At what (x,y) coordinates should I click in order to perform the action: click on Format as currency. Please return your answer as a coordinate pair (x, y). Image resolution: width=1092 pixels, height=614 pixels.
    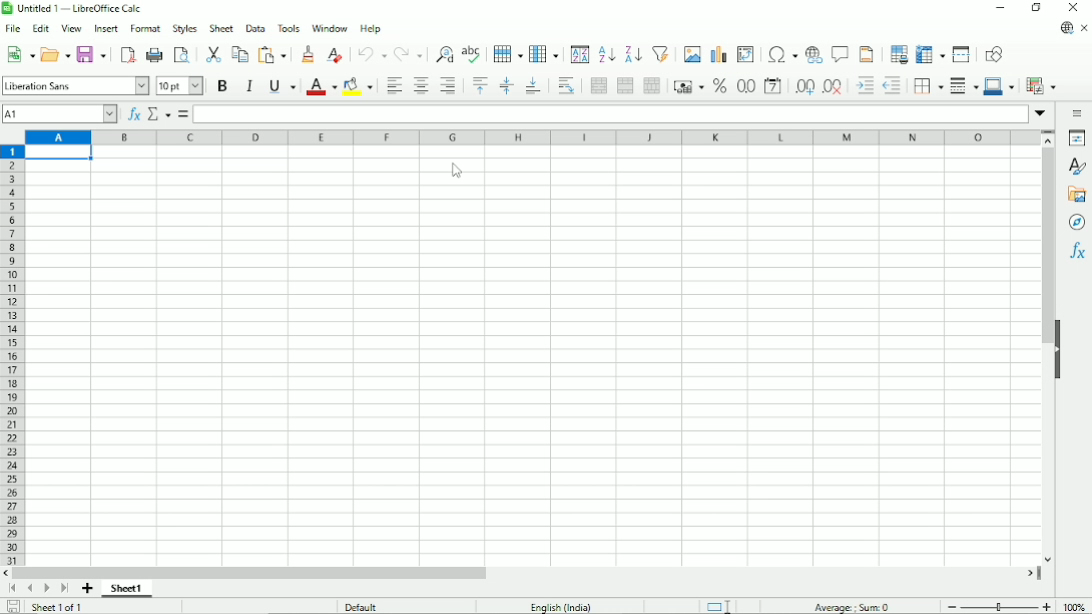
    Looking at the image, I should click on (688, 86).